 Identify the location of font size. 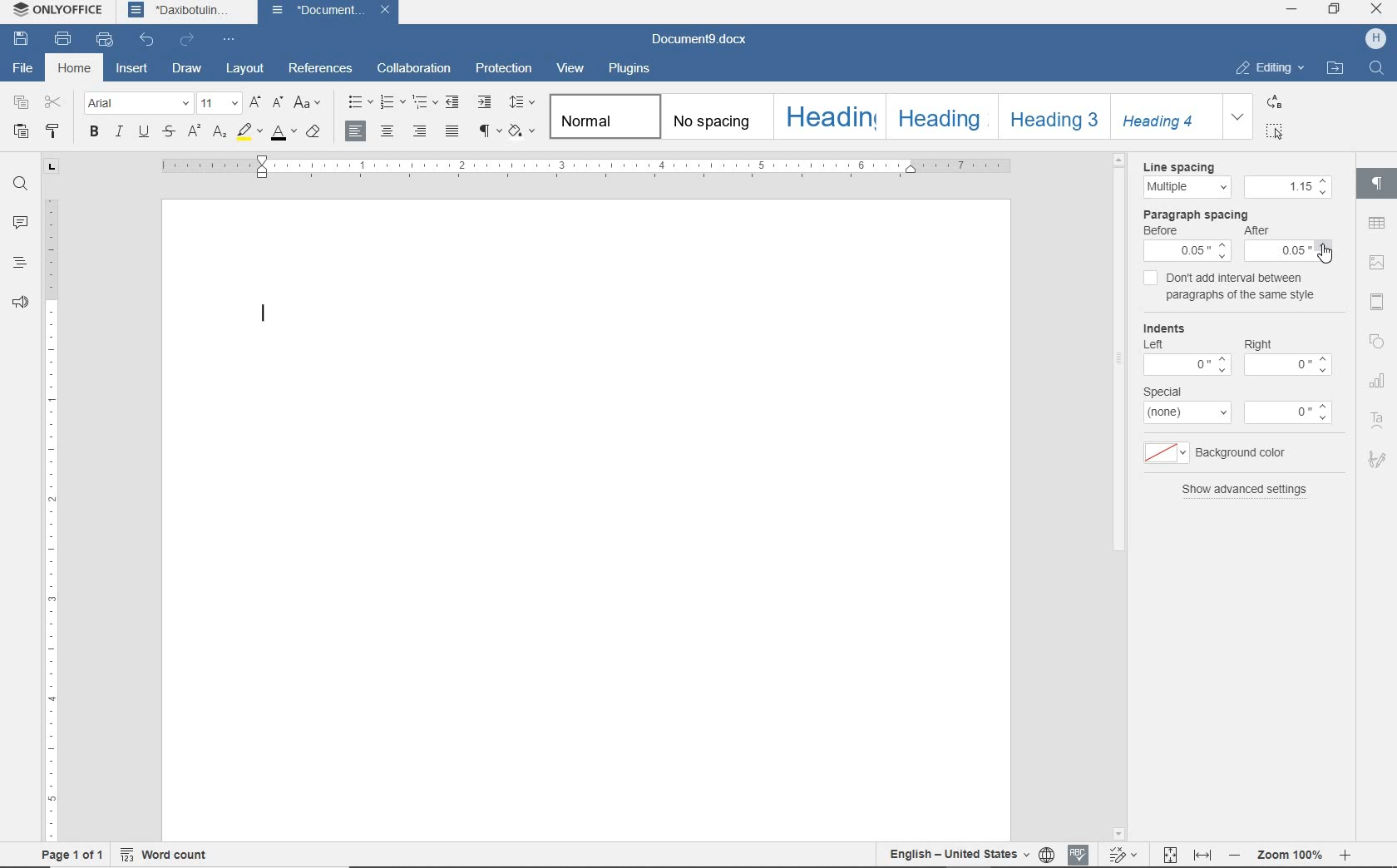
(220, 104).